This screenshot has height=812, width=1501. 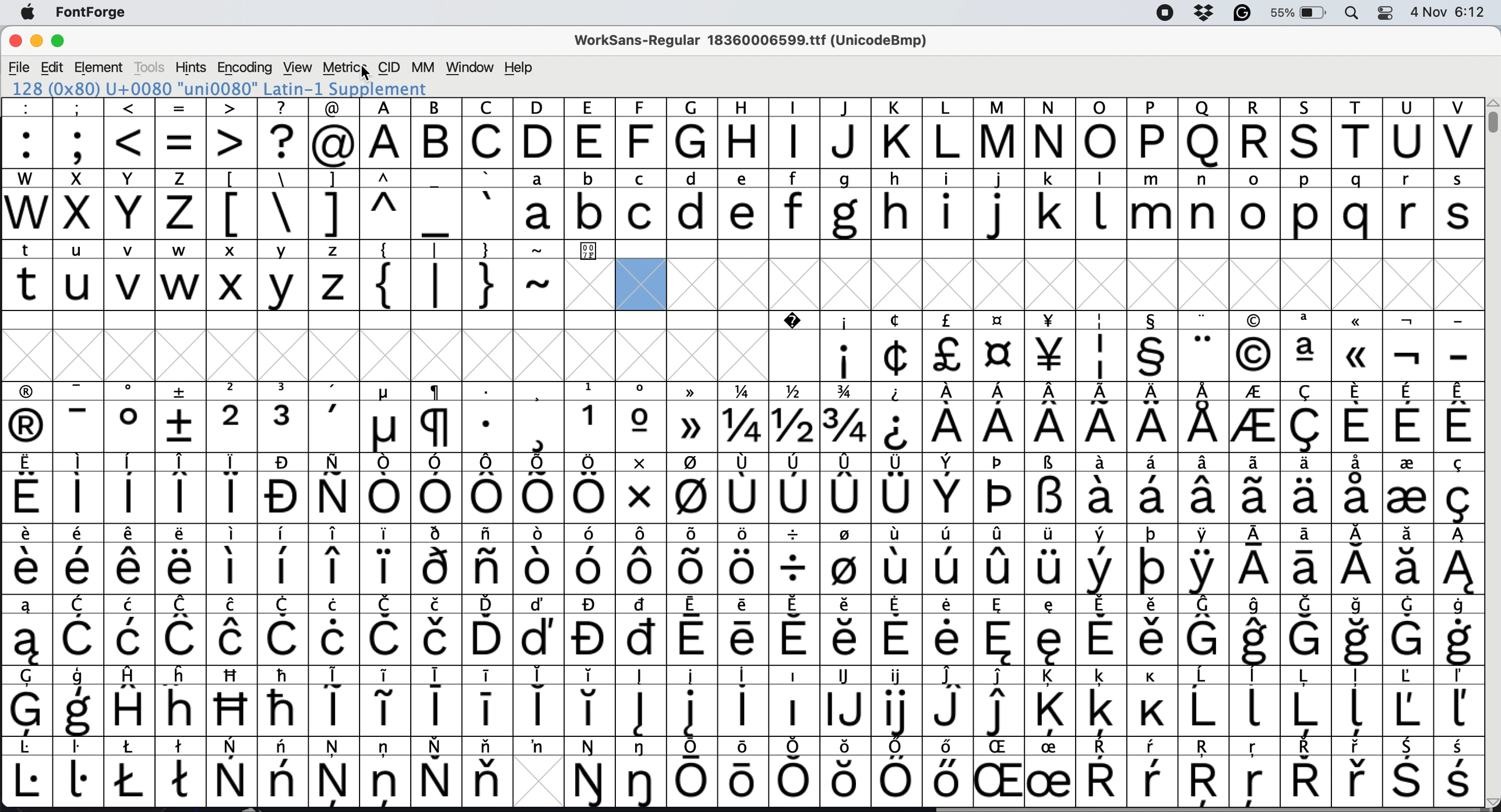 I want to click on special characters, so click(x=742, y=569).